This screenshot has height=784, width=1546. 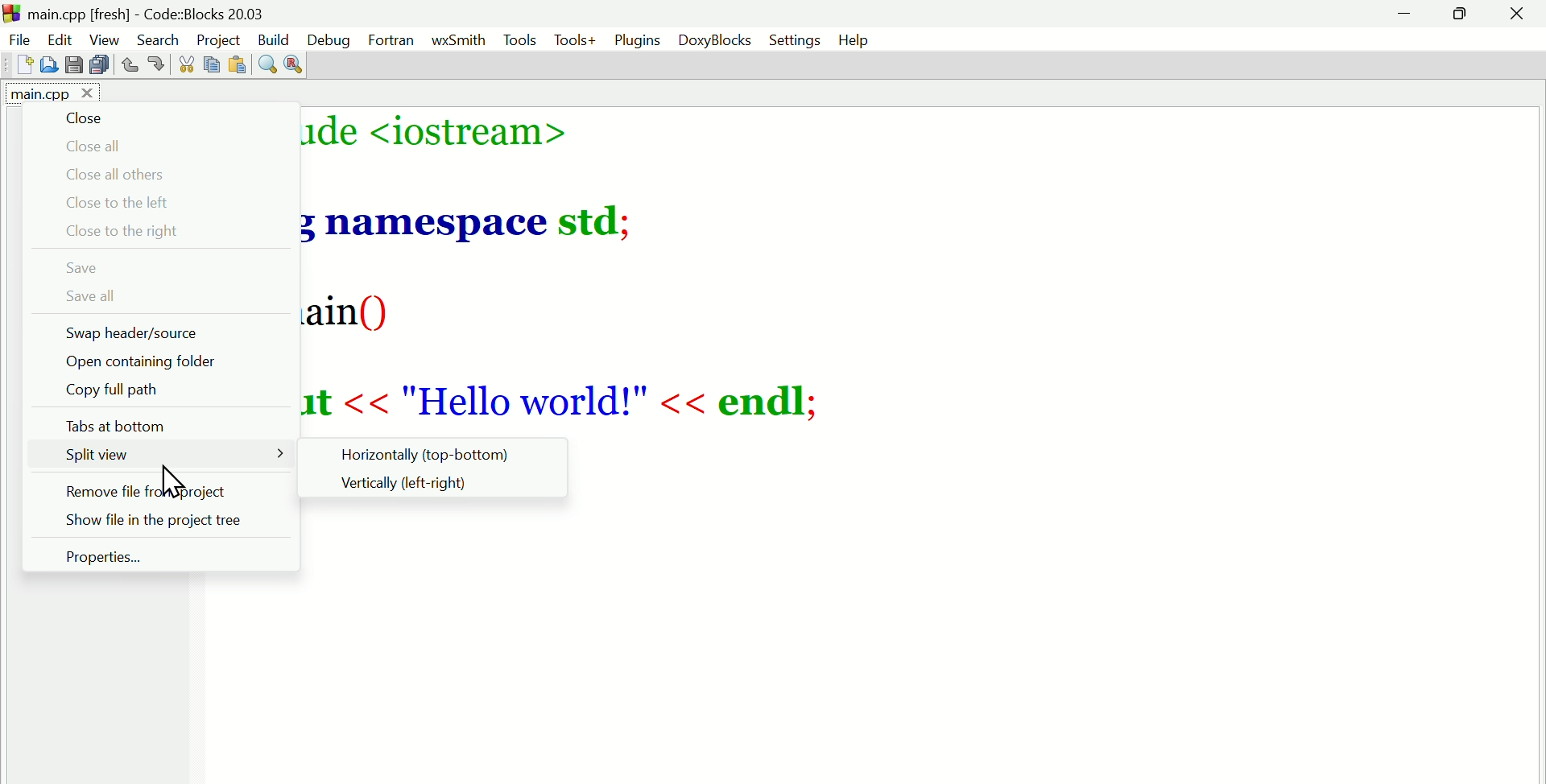 I want to click on Copy full path, so click(x=120, y=394).